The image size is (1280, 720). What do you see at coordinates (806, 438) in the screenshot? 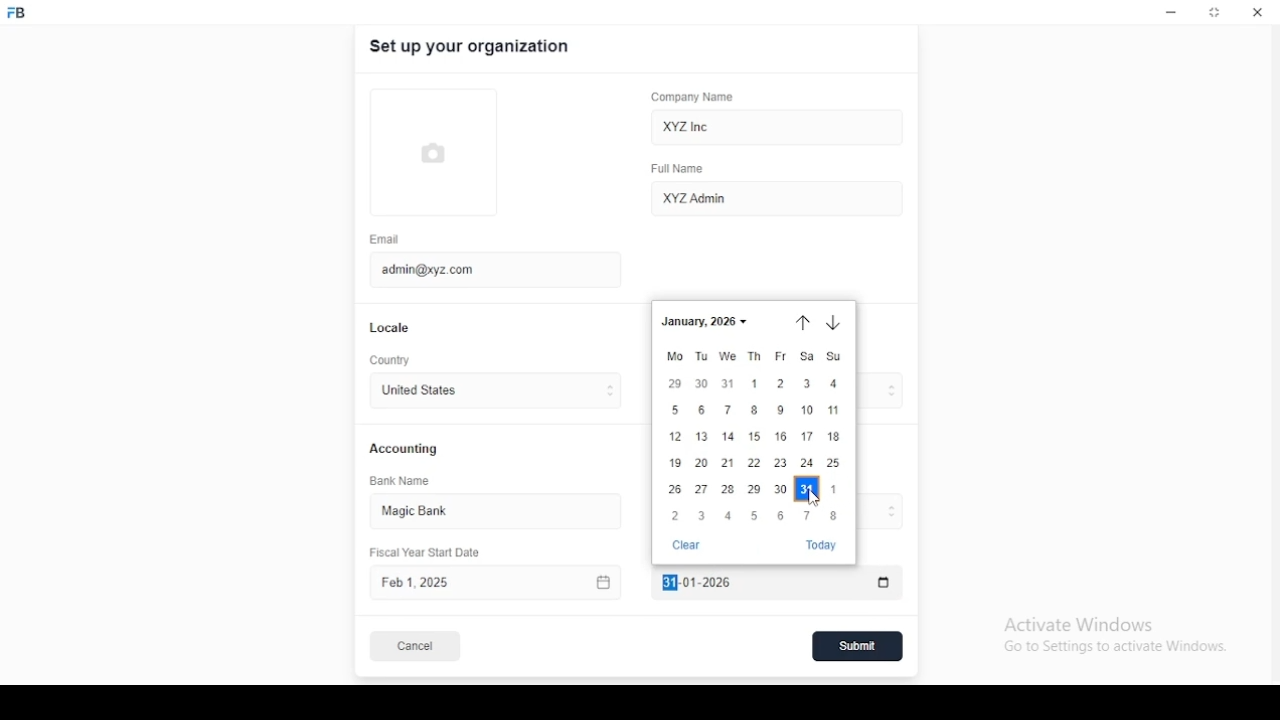
I see `17` at bounding box center [806, 438].